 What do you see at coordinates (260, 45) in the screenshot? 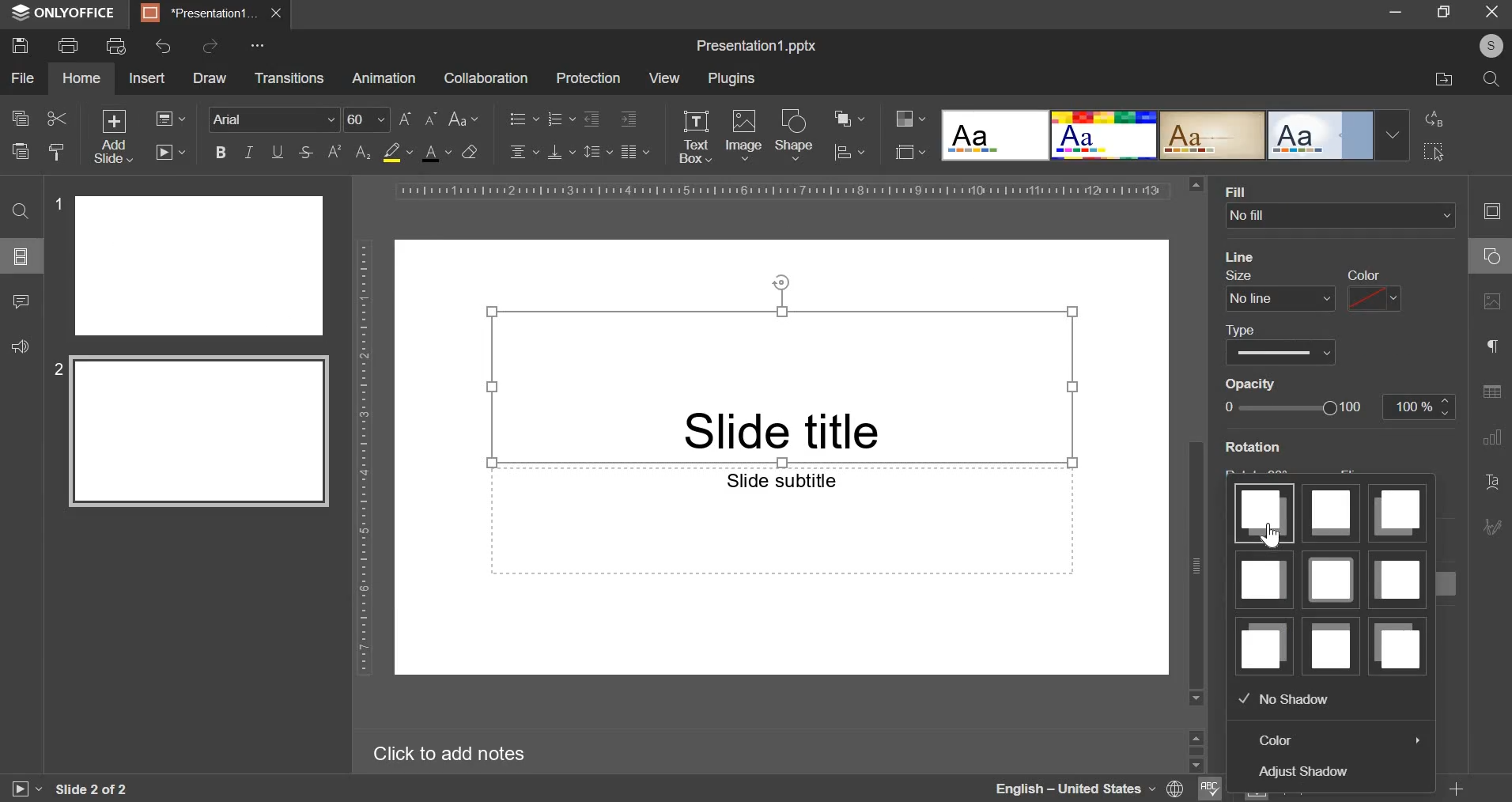
I see `configure quick access toolbar` at bounding box center [260, 45].